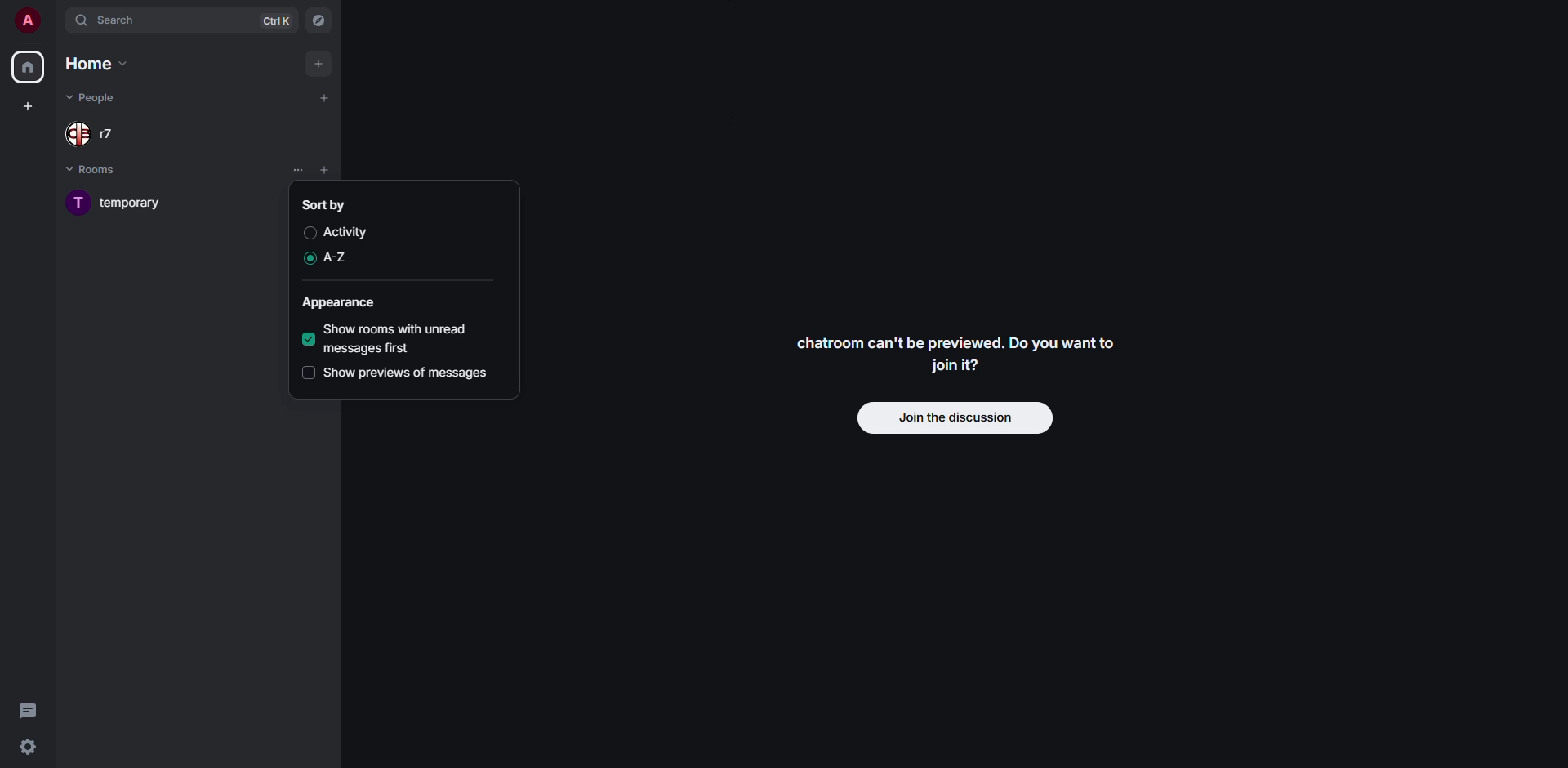 The image size is (1568, 768). Describe the element at coordinates (310, 233) in the screenshot. I see `disabled` at that location.